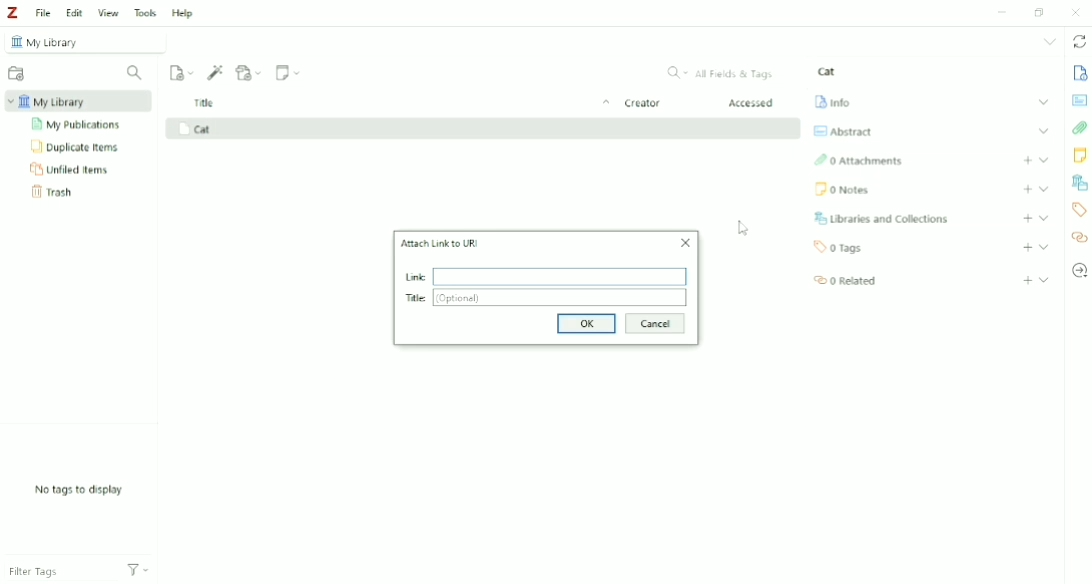 Image resolution: width=1092 pixels, height=584 pixels. Describe the element at coordinates (1044, 102) in the screenshot. I see `Expand section` at that location.